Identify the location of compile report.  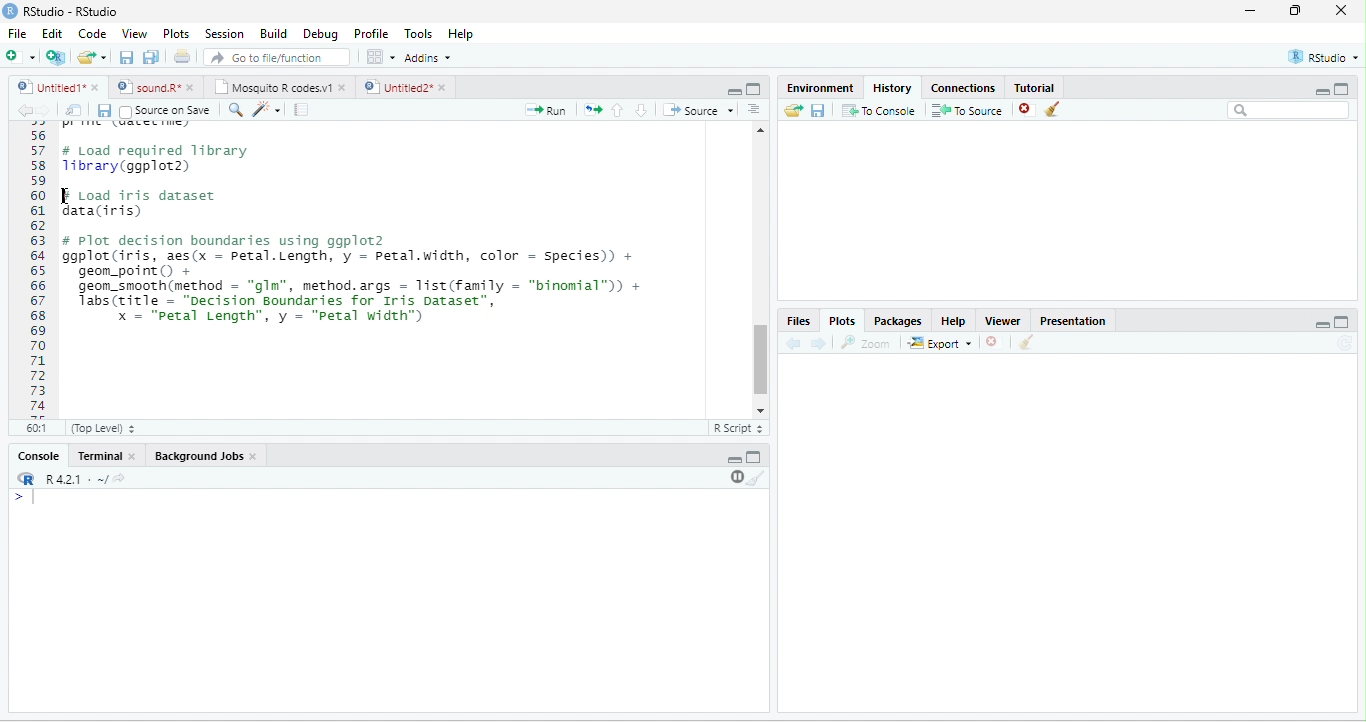
(301, 109).